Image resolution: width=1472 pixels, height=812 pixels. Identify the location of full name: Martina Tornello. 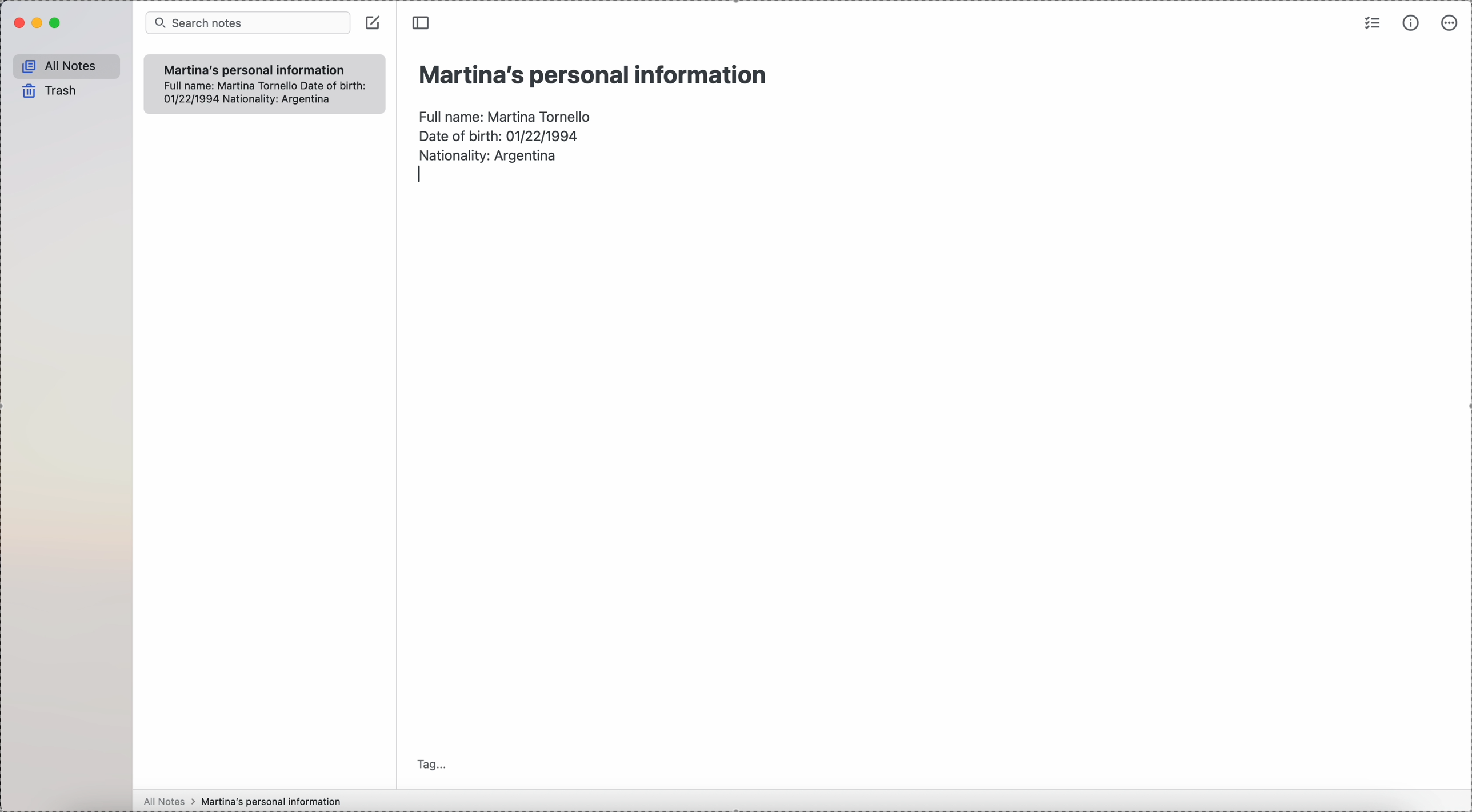
(507, 114).